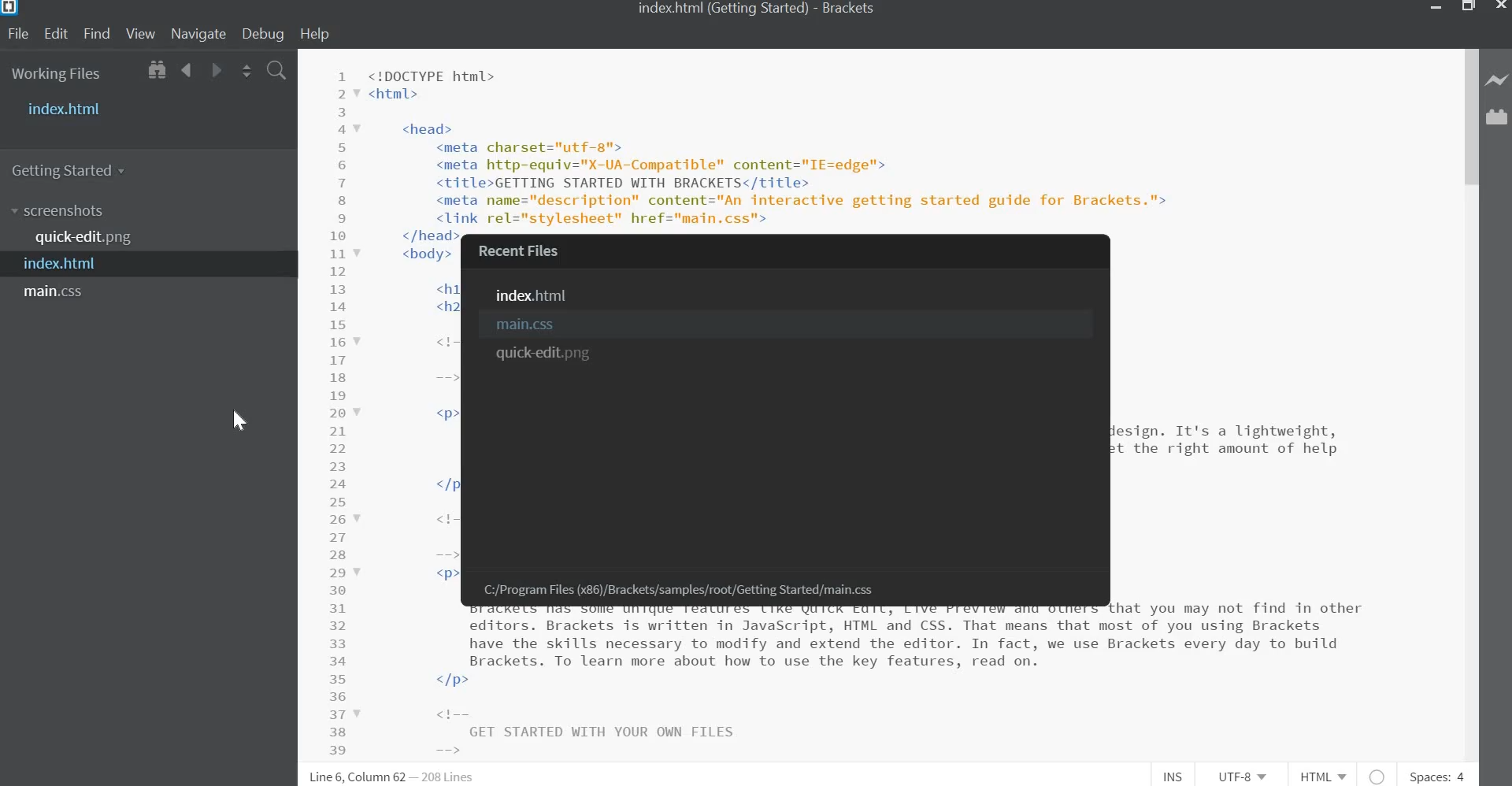 This screenshot has height=786, width=1512. Describe the element at coordinates (74, 169) in the screenshot. I see `Getting Started` at that location.